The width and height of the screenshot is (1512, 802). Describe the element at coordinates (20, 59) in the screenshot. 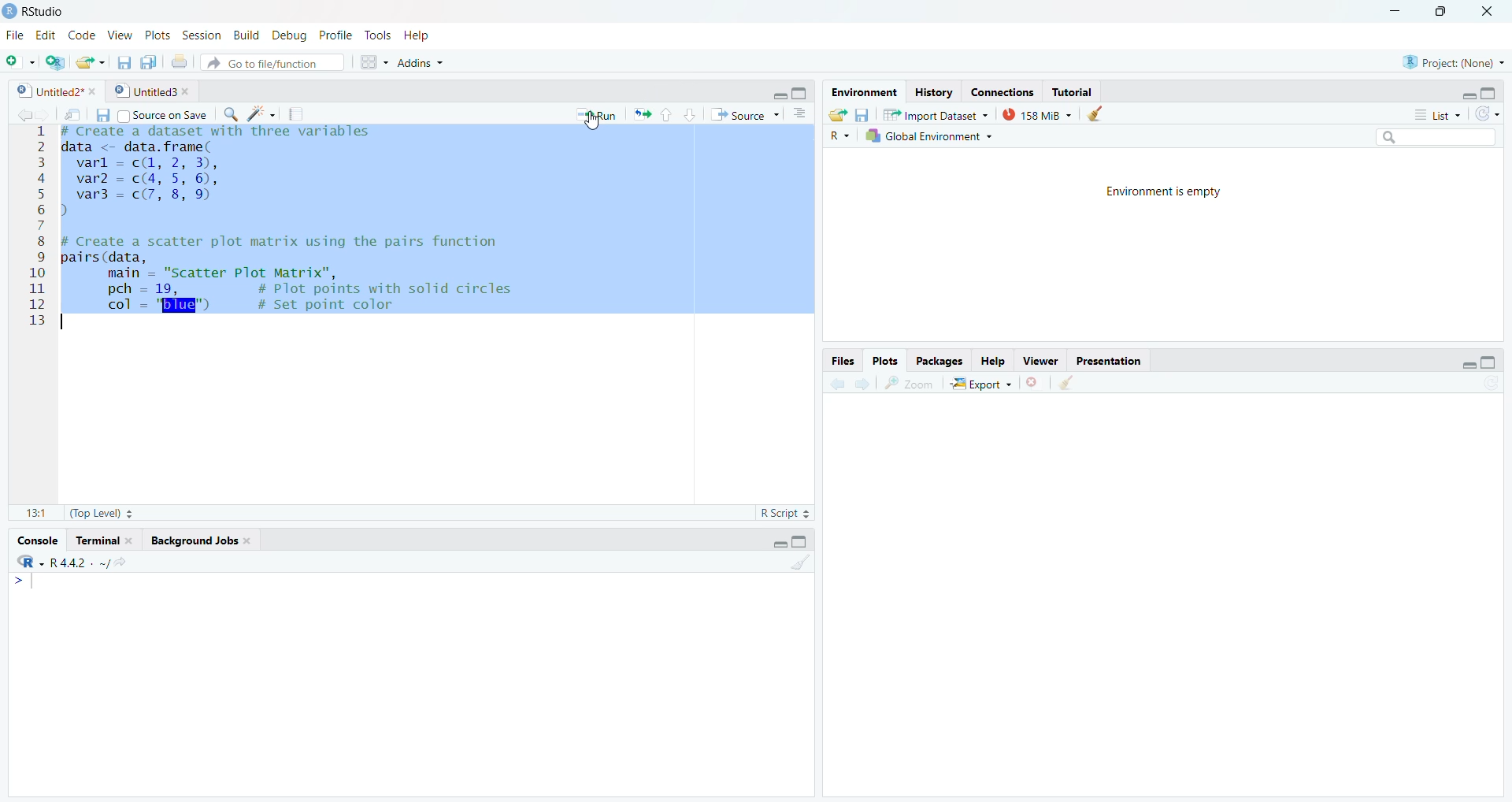

I see `New file` at that location.